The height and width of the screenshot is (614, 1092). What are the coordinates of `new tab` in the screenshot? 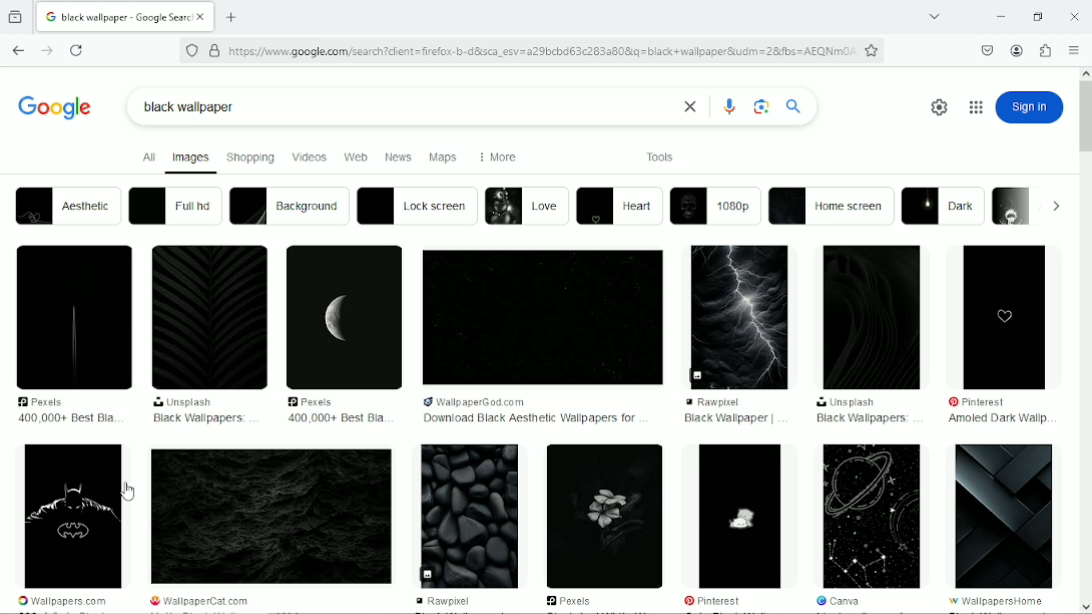 It's located at (232, 17).